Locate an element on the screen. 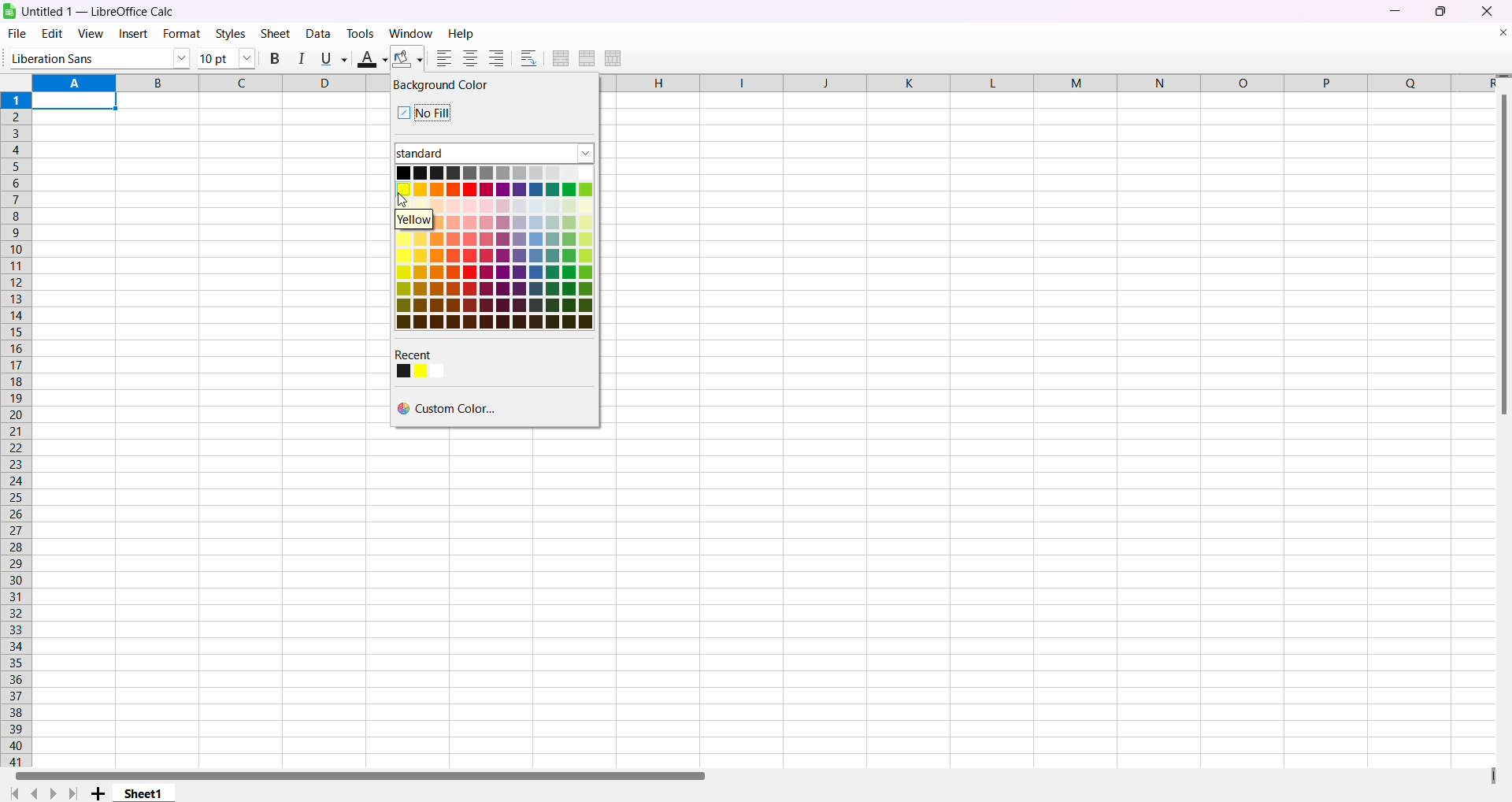  data is located at coordinates (319, 35).